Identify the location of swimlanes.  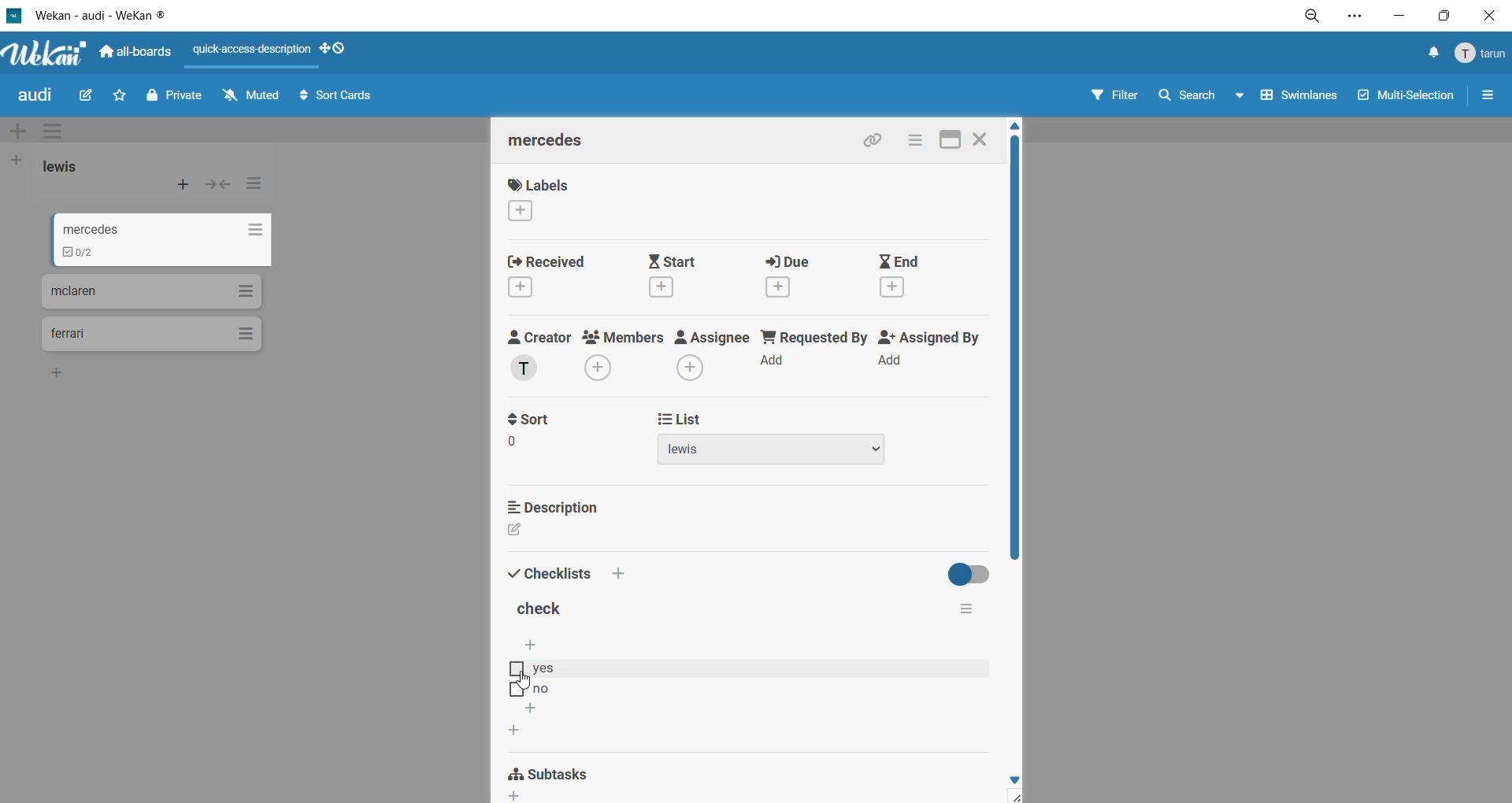
(1300, 94).